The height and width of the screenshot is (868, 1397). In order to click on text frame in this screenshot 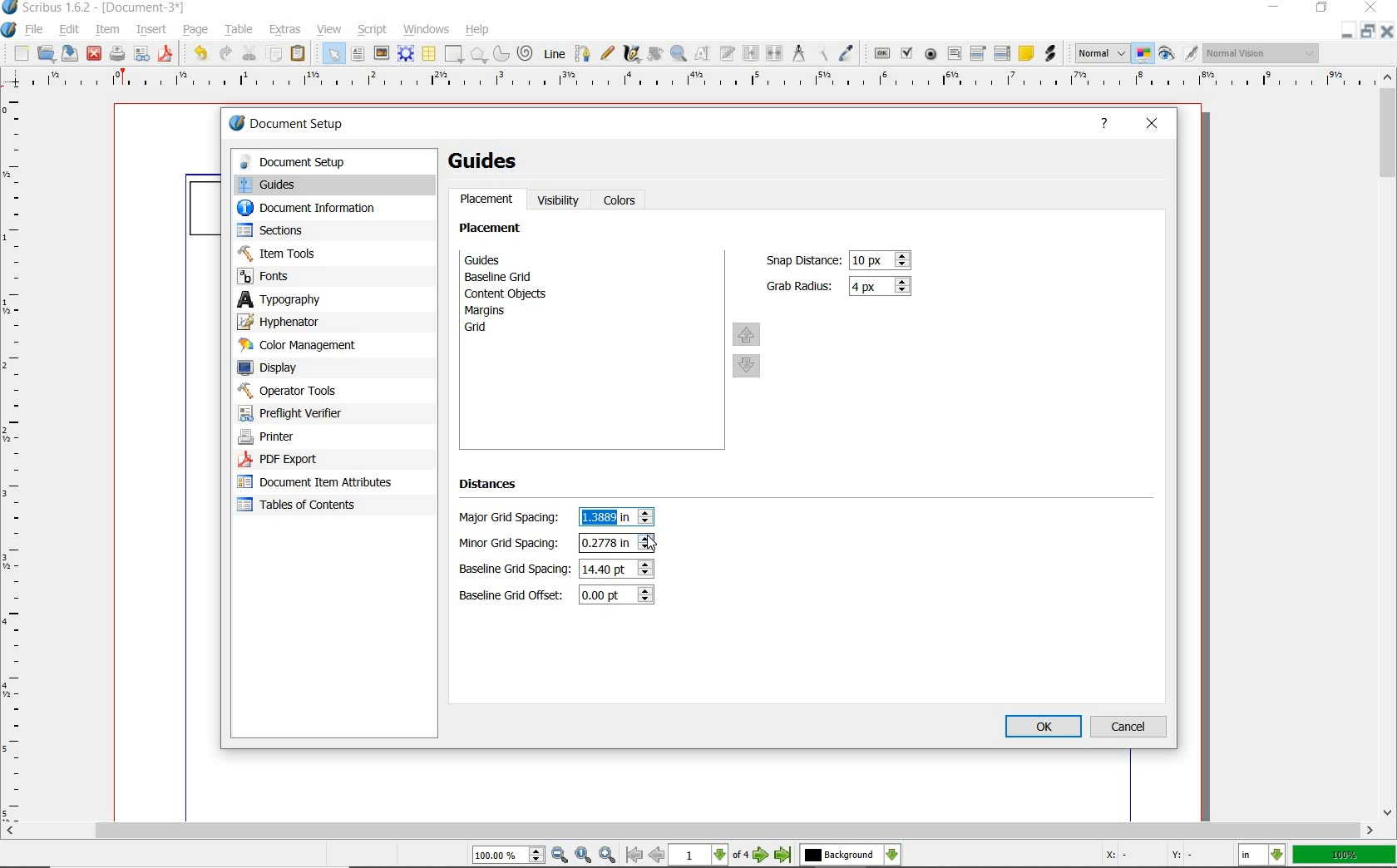, I will do `click(358, 56)`.